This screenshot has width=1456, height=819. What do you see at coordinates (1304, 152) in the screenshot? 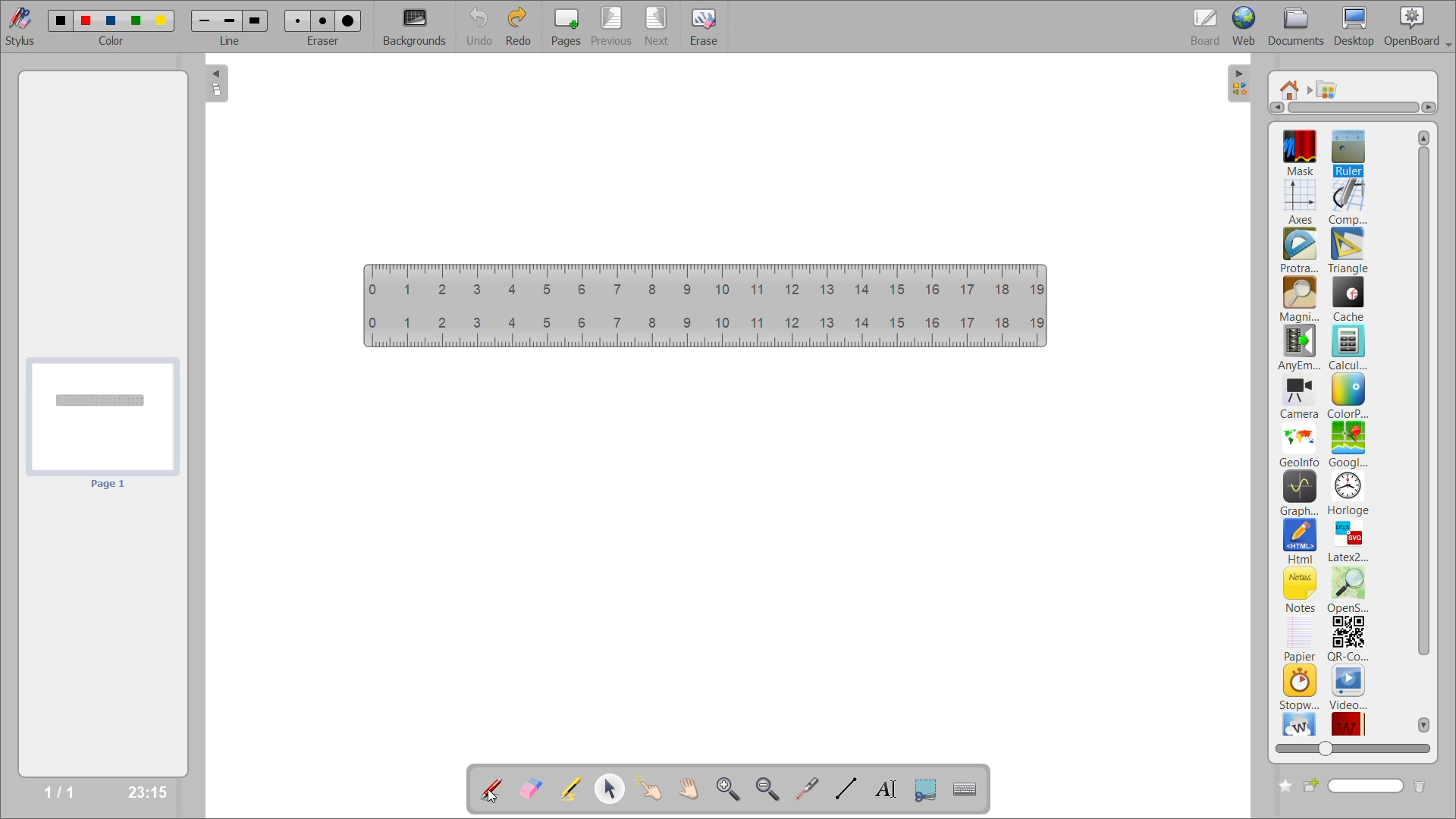
I see `mask` at bounding box center [1304, 152].